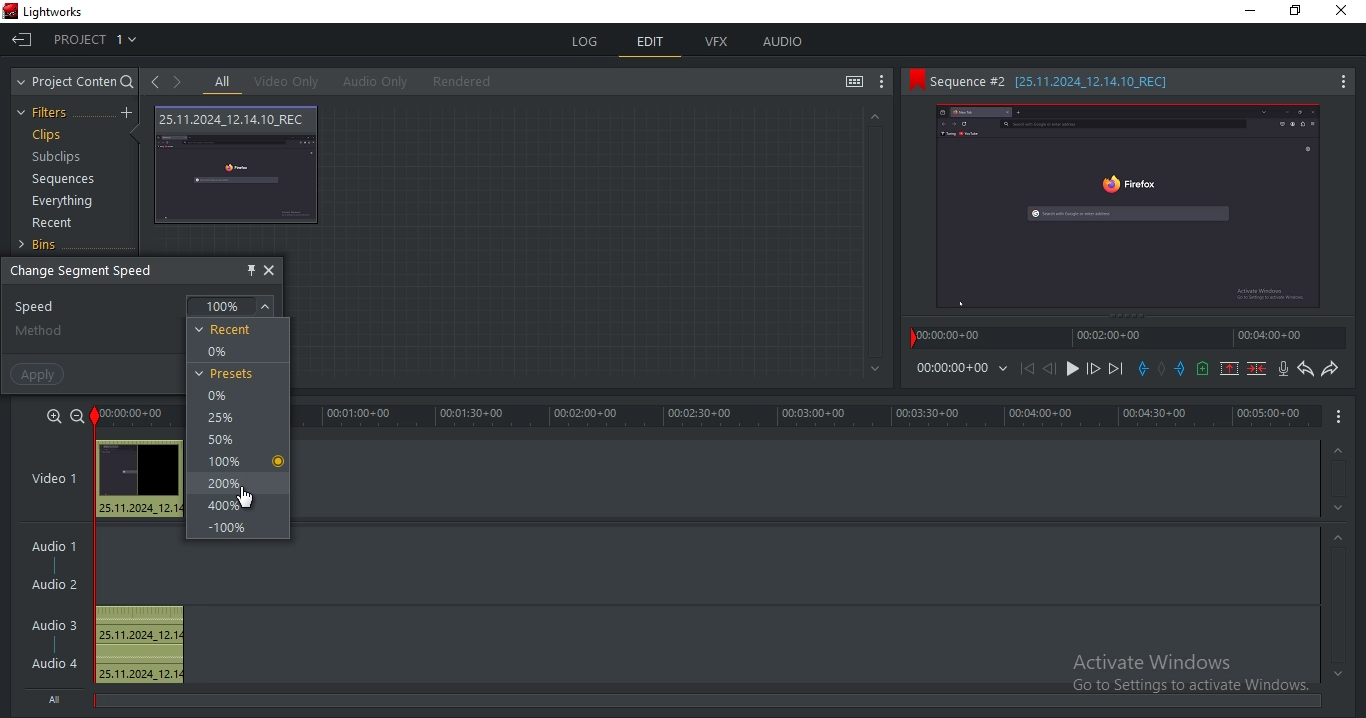 The height and width of the screenshot is (718, 1366). Describe the element at coordinates (855, 82) in the screenshot. I see `` at that location.